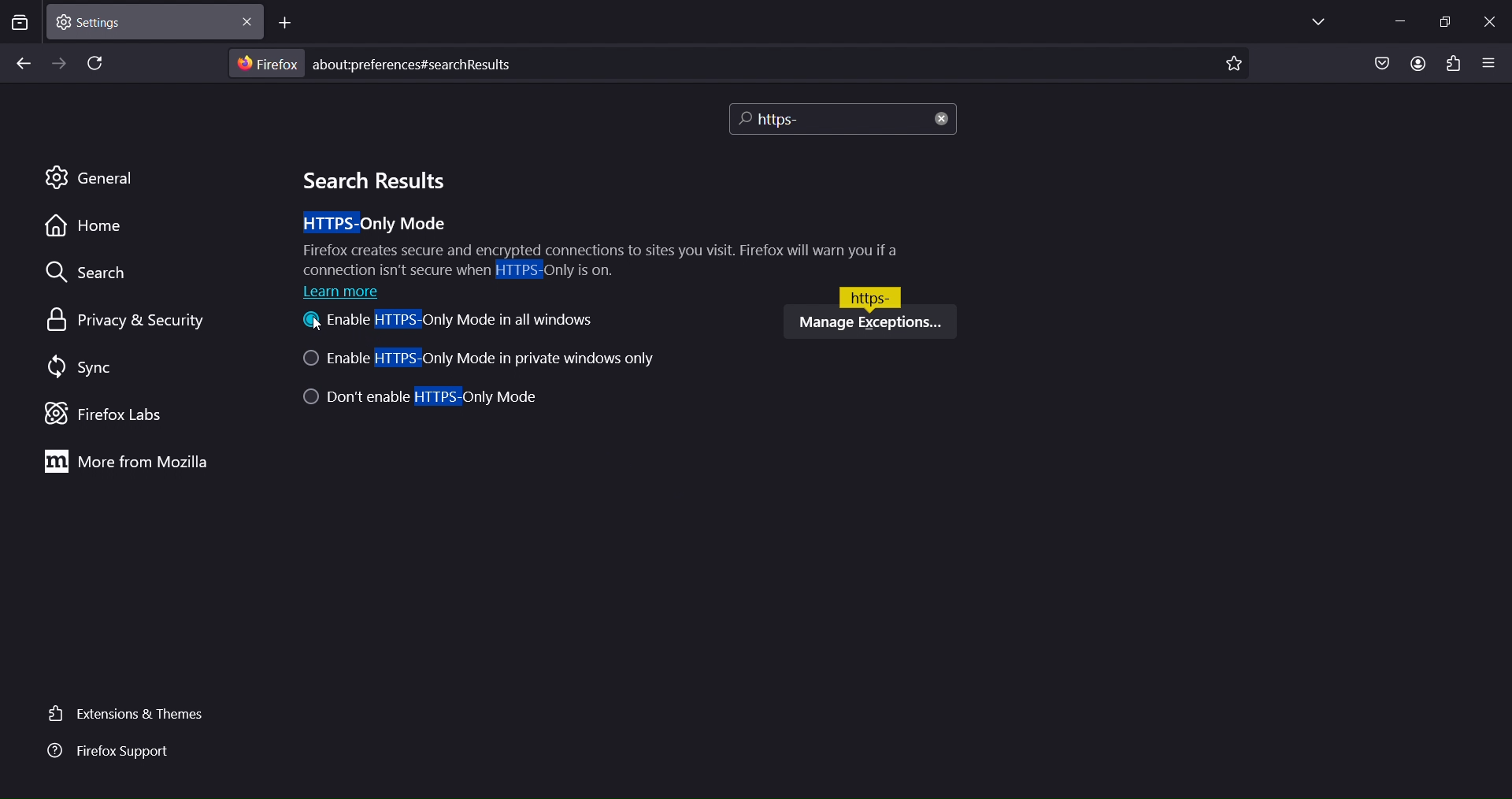 The width and height of the screenshot is (1512, 799). What do you see at coordinates (346, 292) in the screenshot?
I see `learn more` at bounding box center [346, 292].